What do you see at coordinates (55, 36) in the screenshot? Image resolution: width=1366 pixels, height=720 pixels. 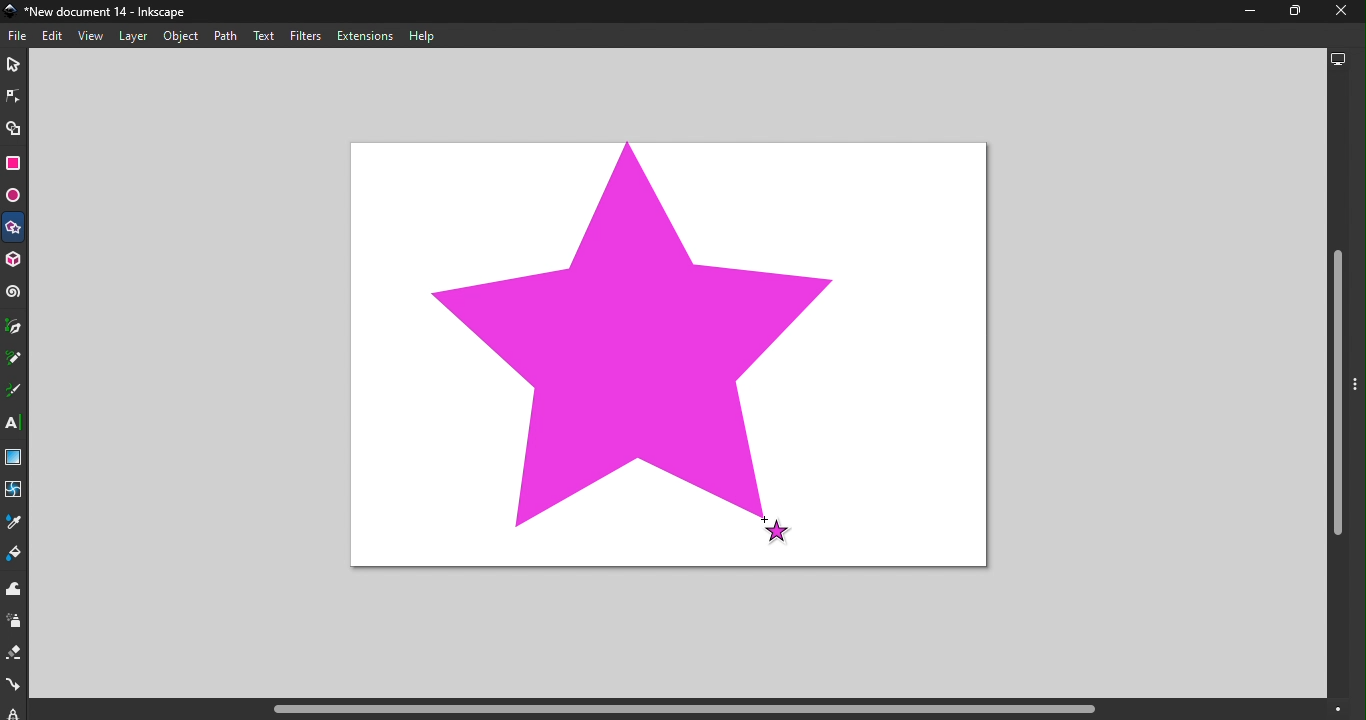 I see `Edit` at bounding box center [55, 36].